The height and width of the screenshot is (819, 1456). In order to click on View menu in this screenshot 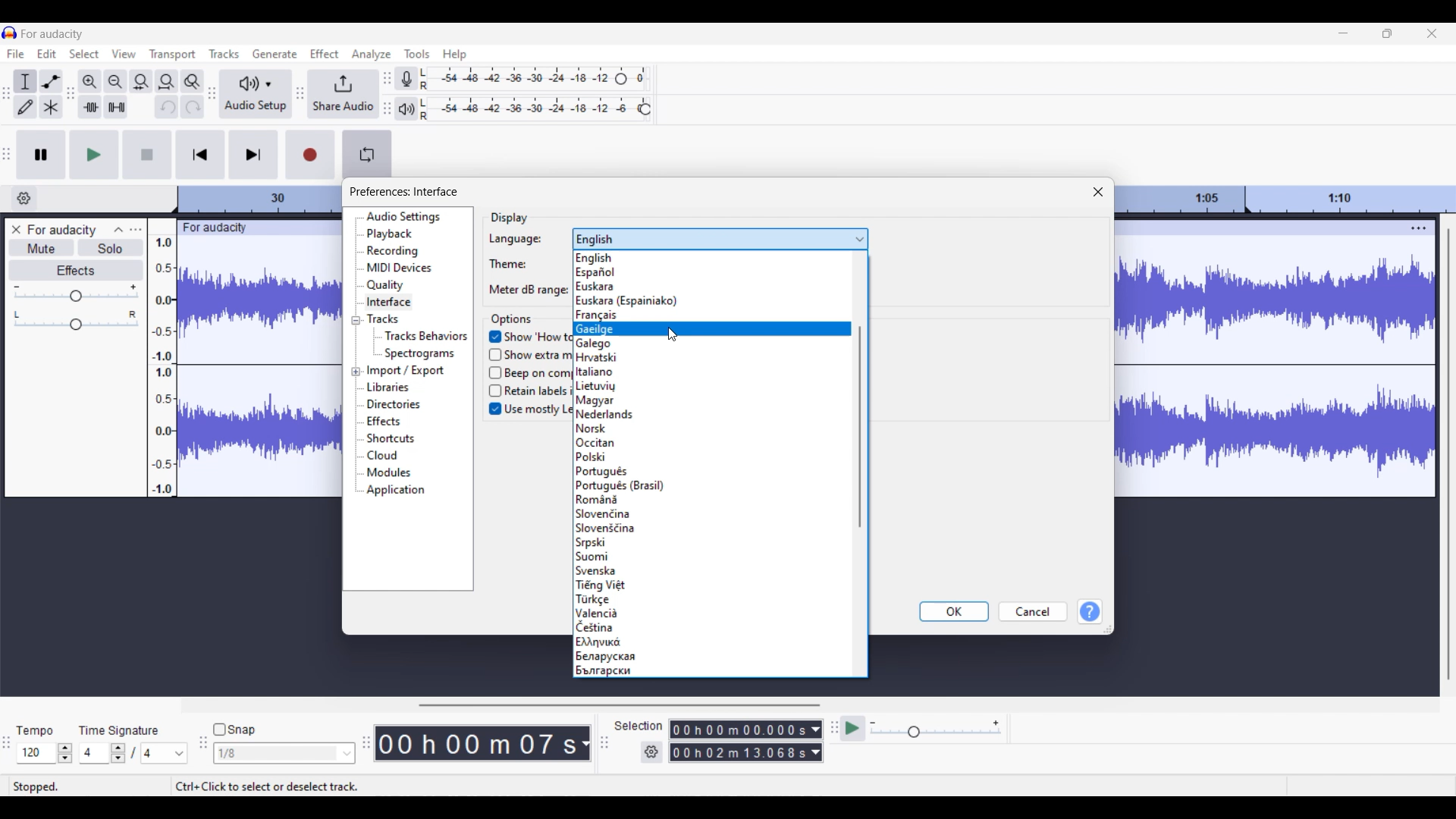, I will do `click(124, 53)`.